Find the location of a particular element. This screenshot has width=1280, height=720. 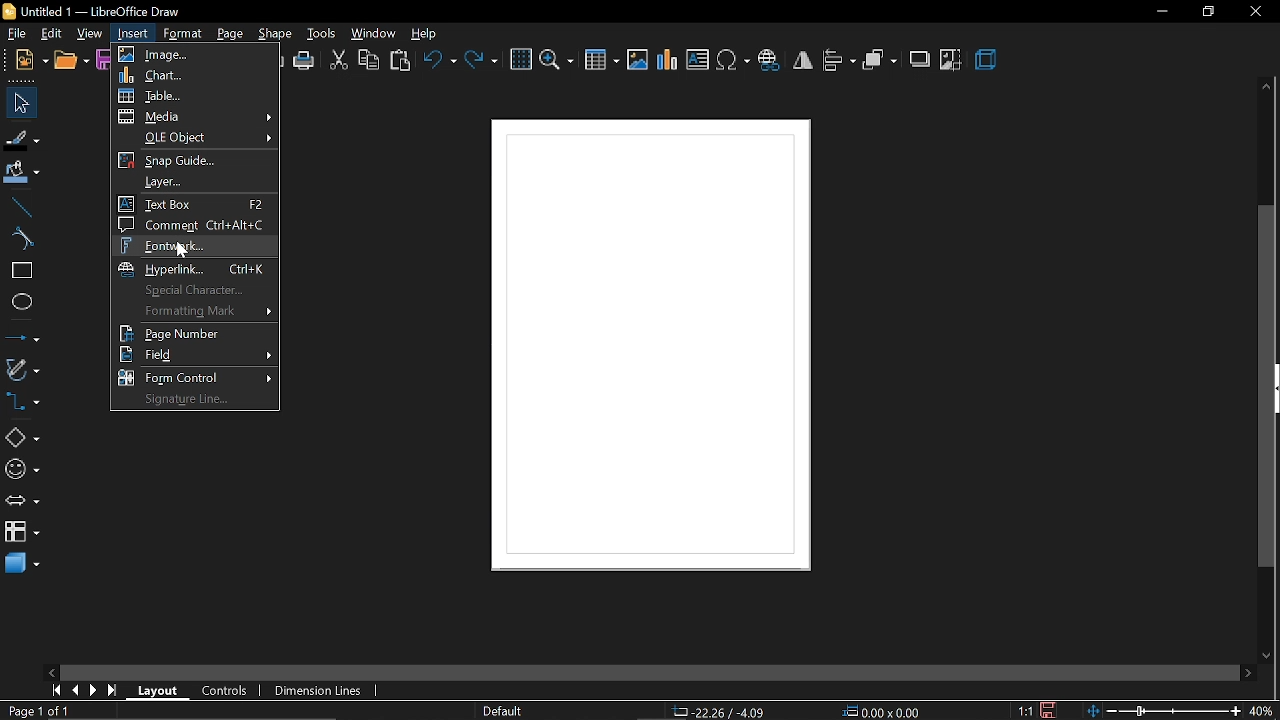

go to last page is located at coordinates (109, 691).